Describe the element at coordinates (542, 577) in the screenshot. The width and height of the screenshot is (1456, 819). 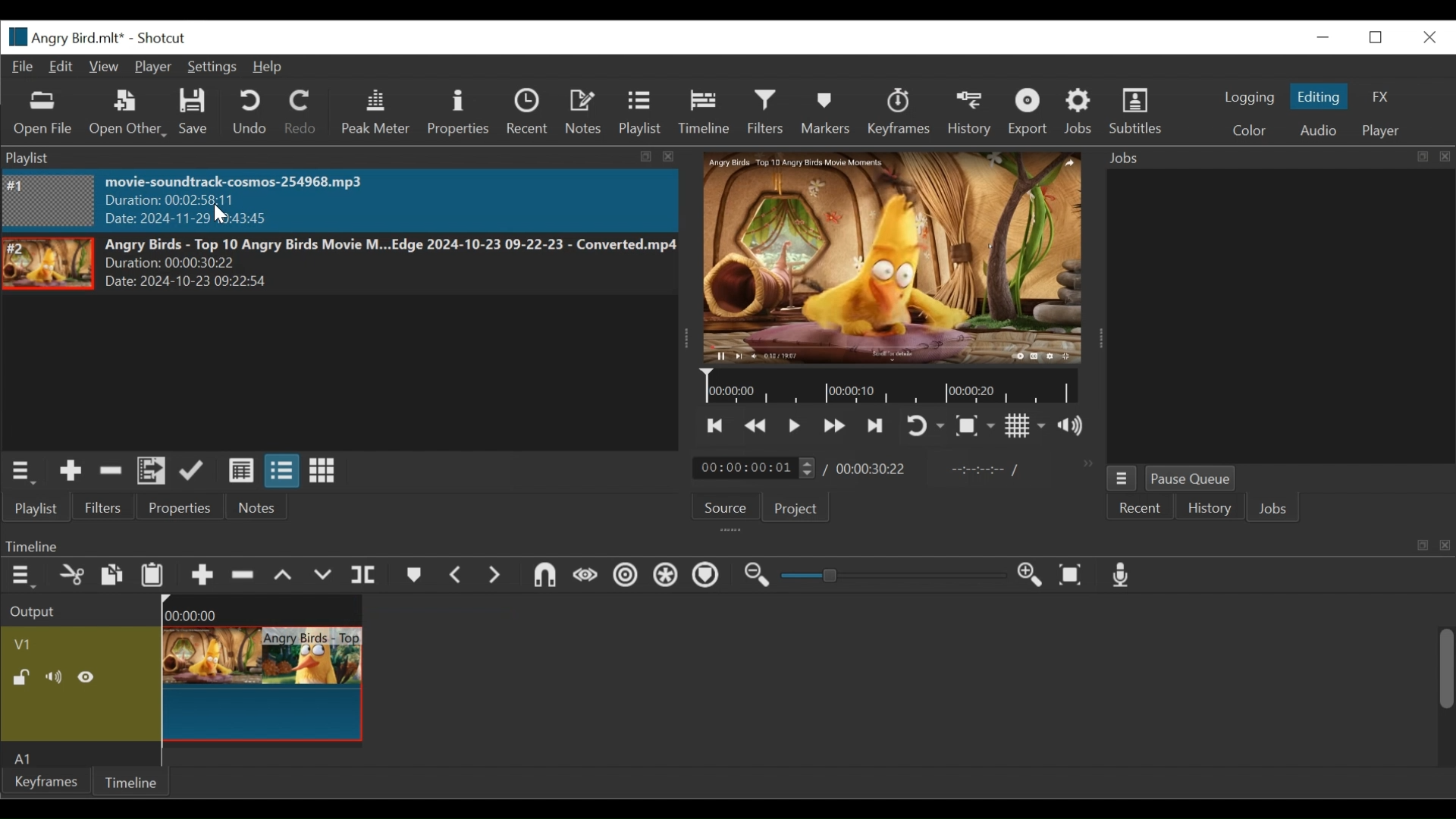
I see `Snap` at that location.